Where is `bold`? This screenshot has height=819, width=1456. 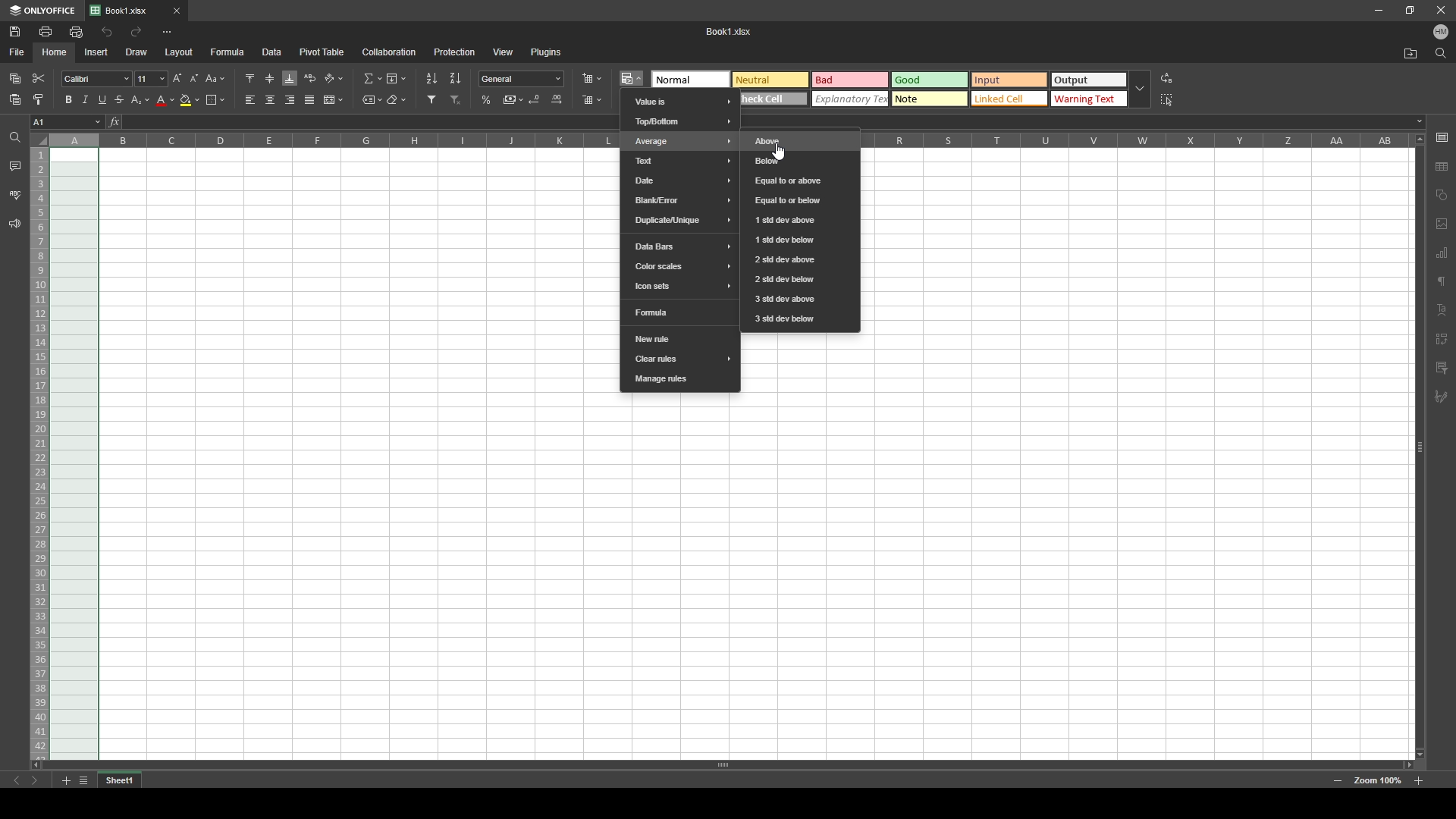 bold is located at coordinates (68, 99).